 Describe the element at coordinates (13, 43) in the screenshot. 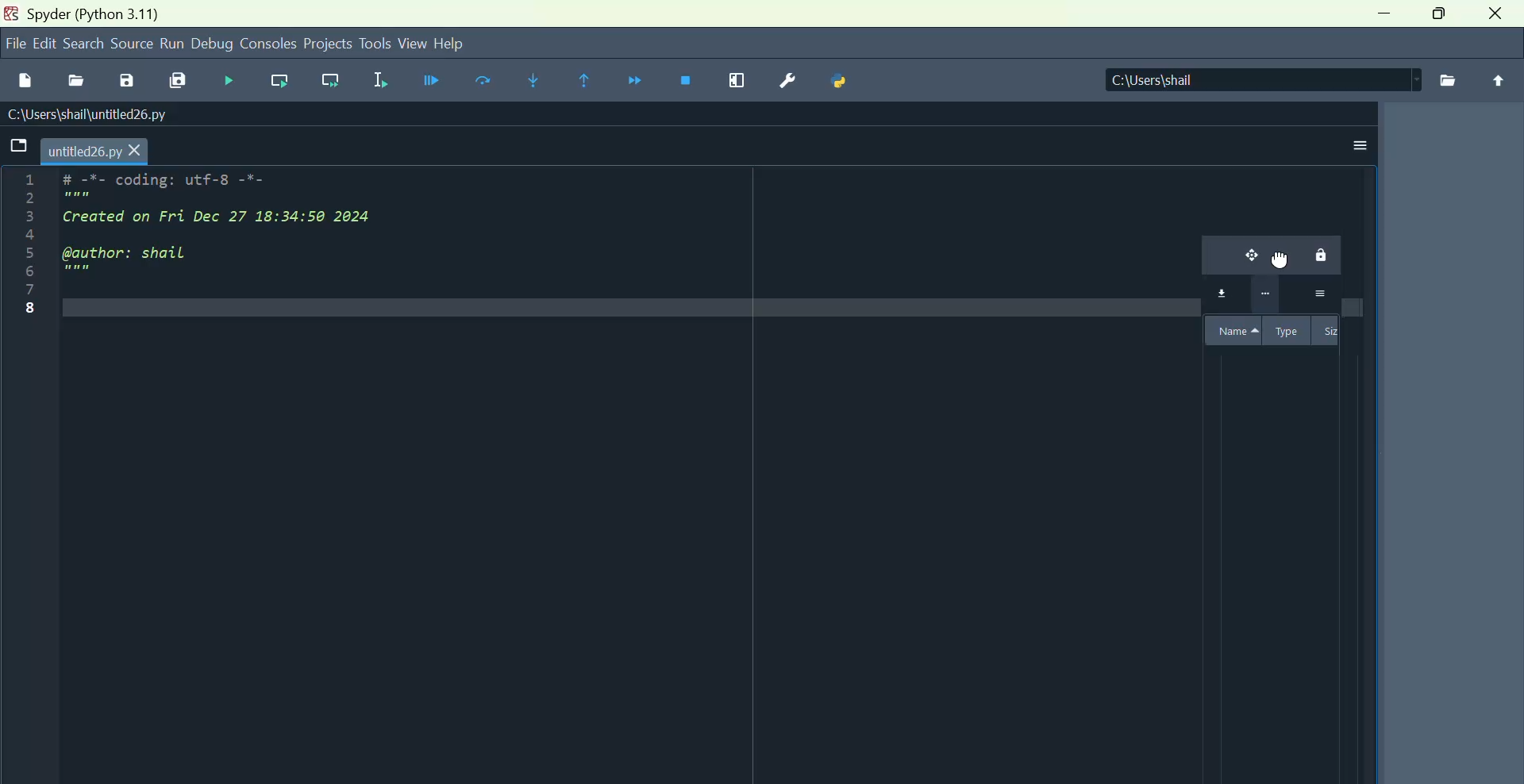

I see `file` at that location.